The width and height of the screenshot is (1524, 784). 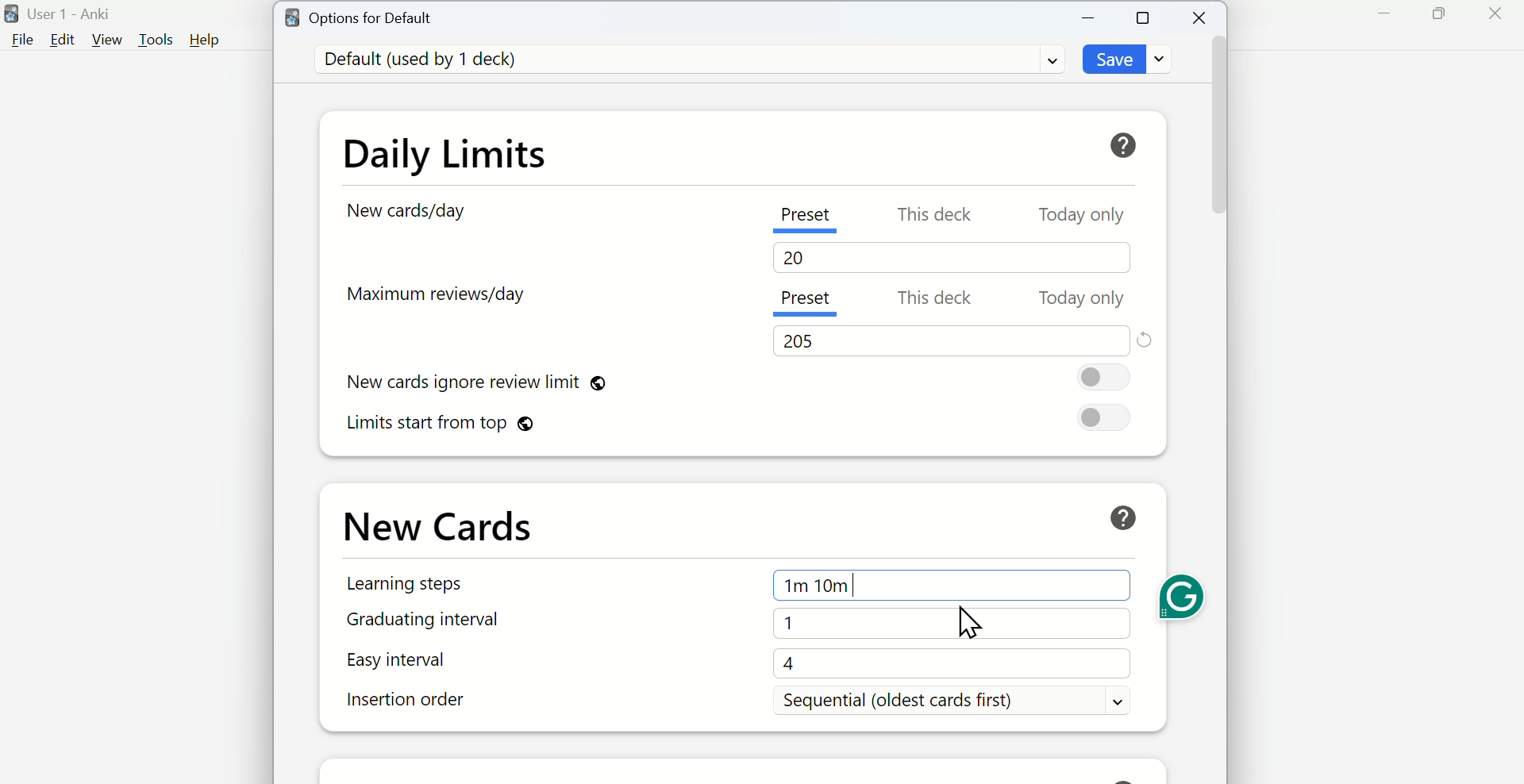 What do you see at coordinates (814, 218) in the screenshot?
I see `Preset` at bounding box center [814, 218].